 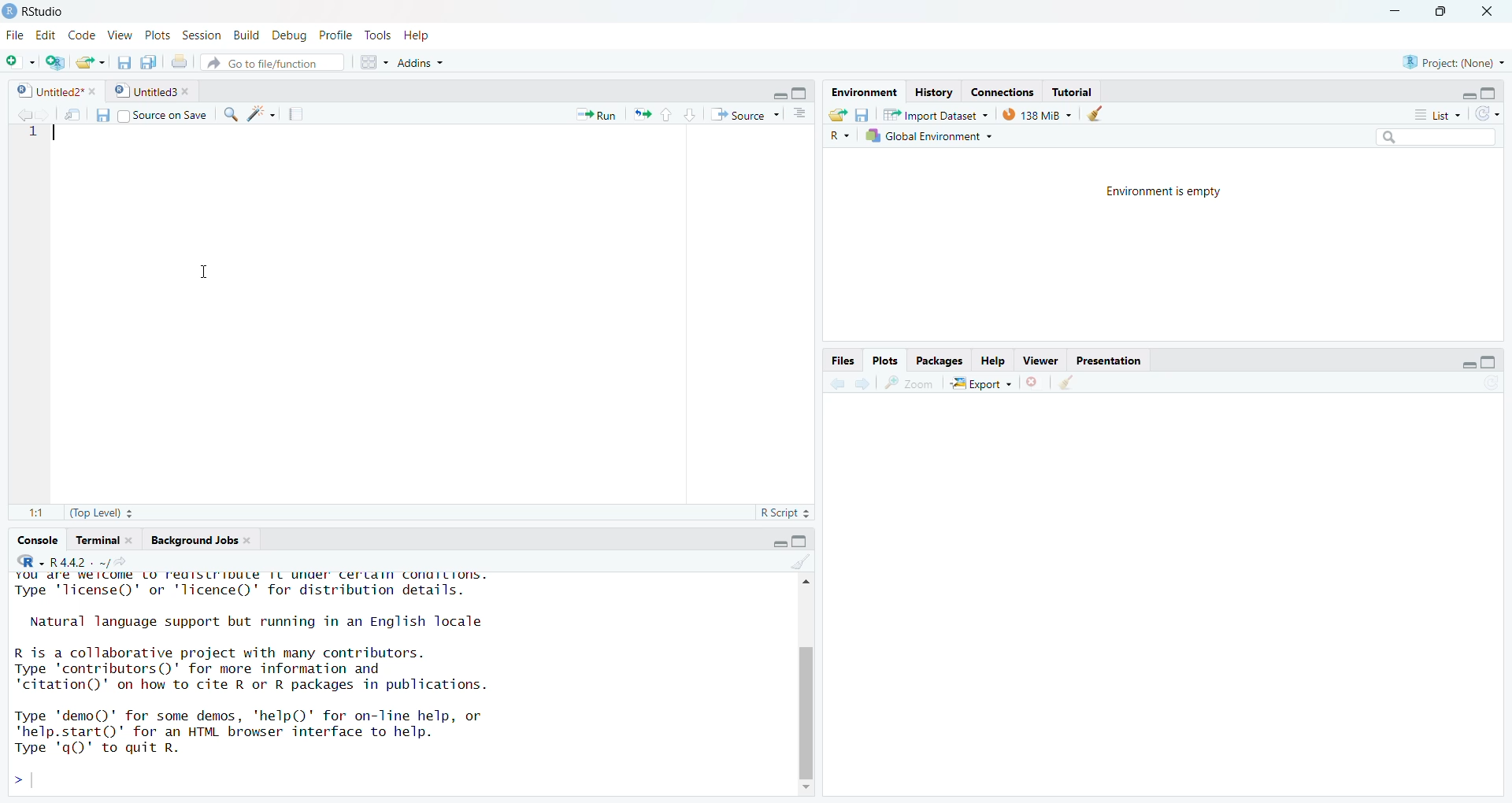 What do you see at coordinates (780, 515) in the screenshot?
I see `R Script ` at bounding box center [780, 515].